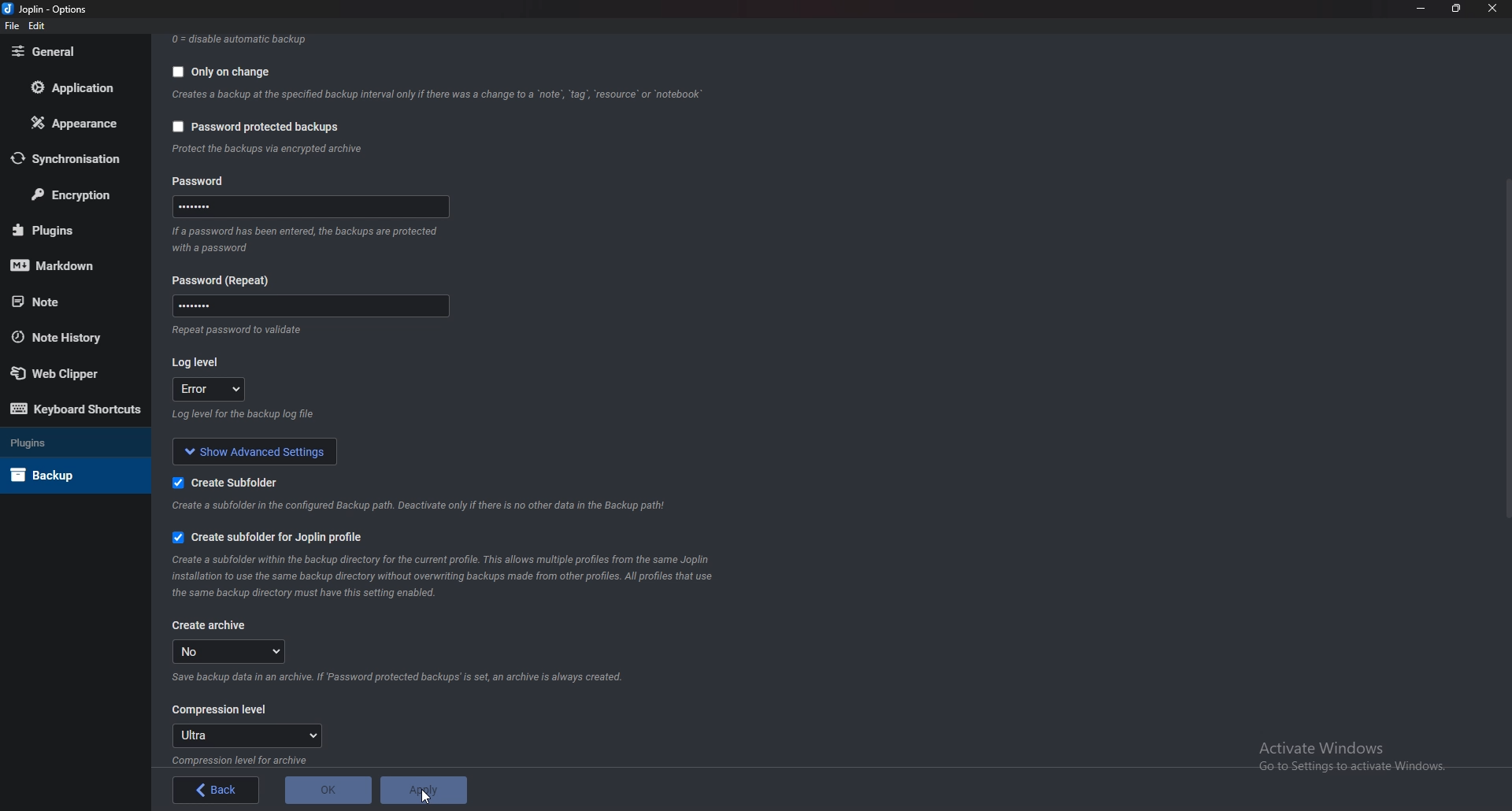 The height and width of the screenshot is (811, 1512). What do you see at coordinates (426, 790) in the screenshot?
I see `apply` at bounding box center [426, 790].